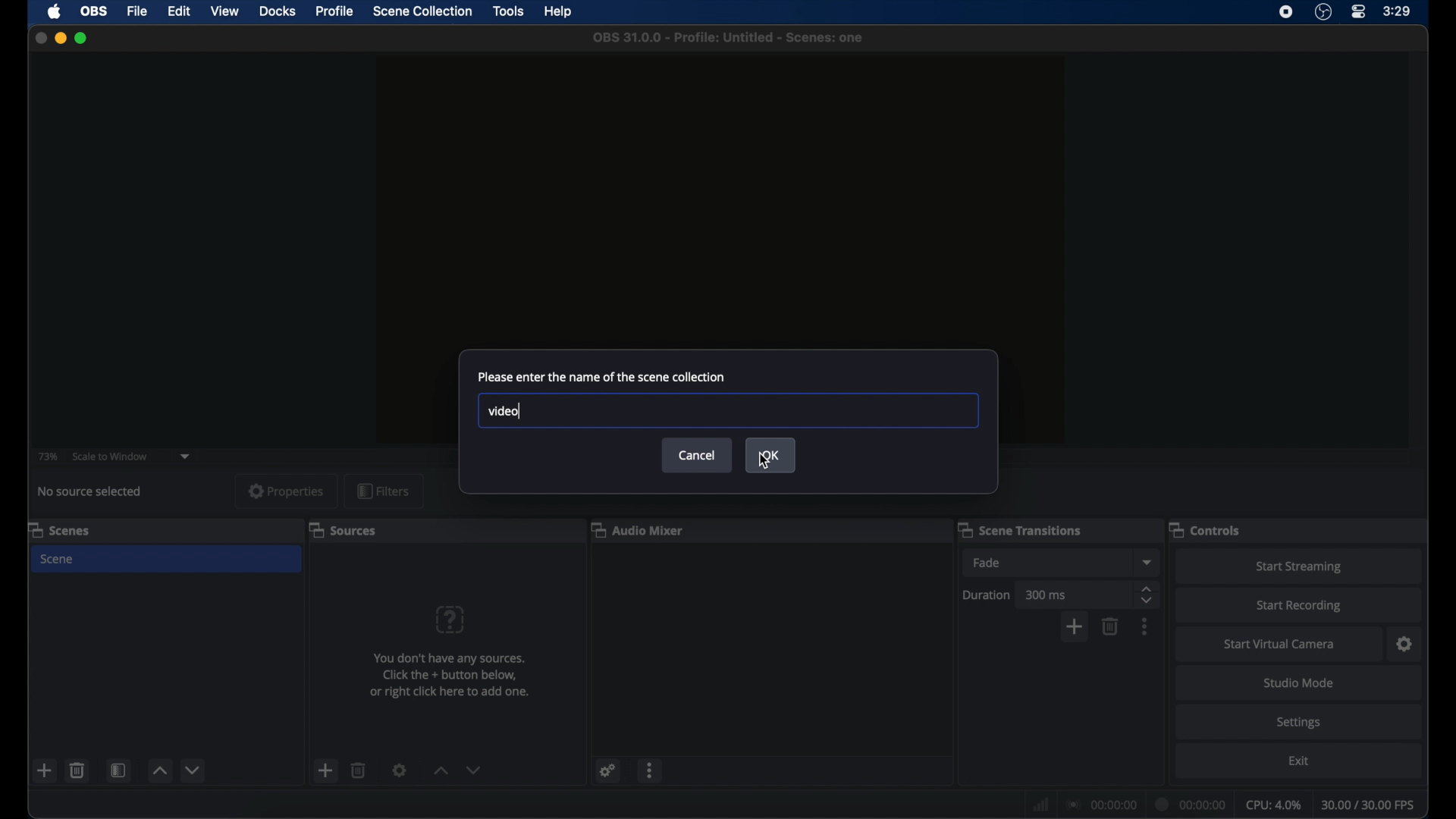 The image size is (1456, 819). What do you see at coordinates (987, 595) in the screenshot?
I see `duration` at bounding box center [987, 595].